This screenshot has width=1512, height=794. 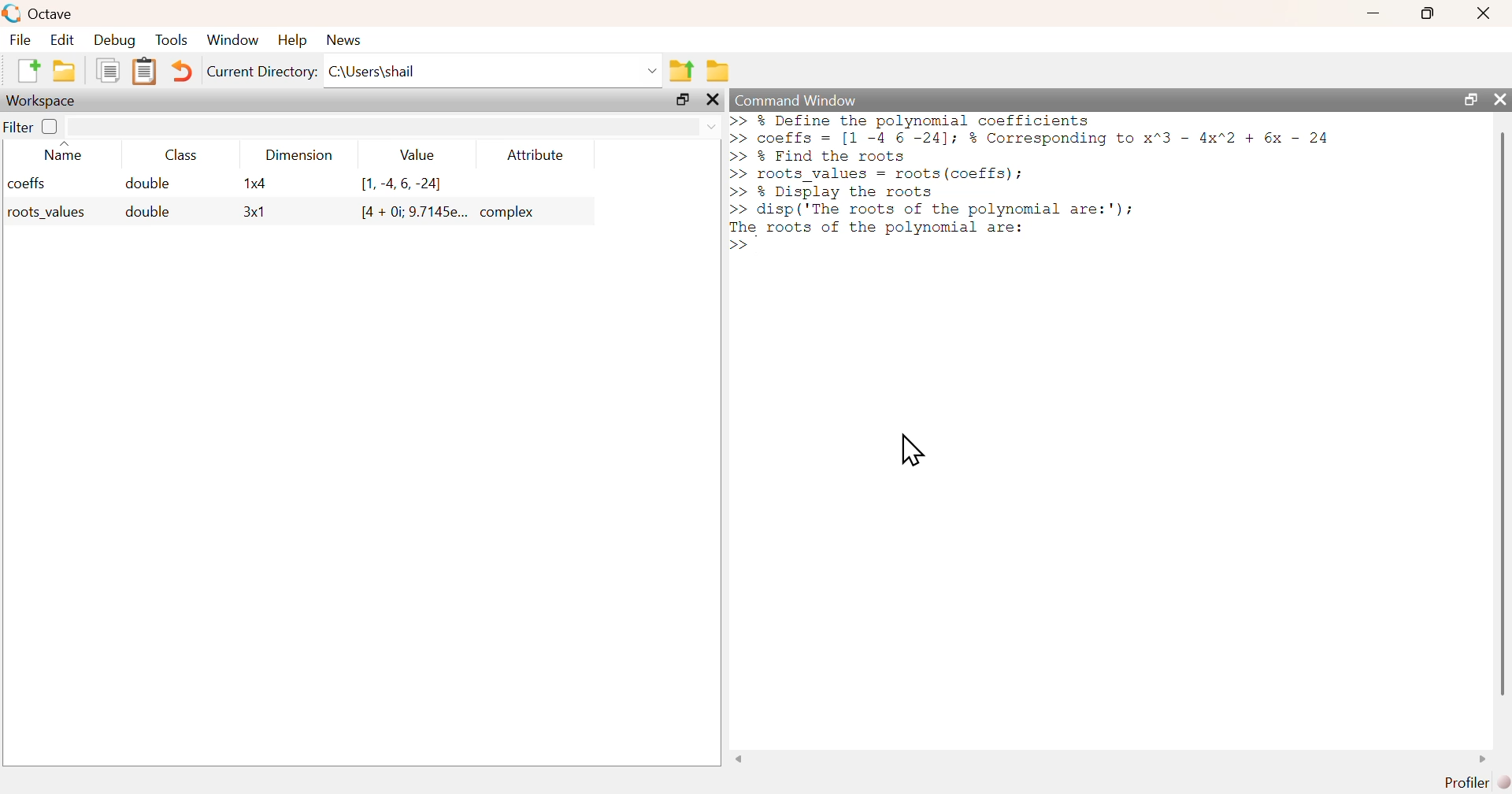 What do you see at coordinates (402, 184) in the screenshot?
I see `[1,-4,6,-24]` at bounding box center [402, 184].